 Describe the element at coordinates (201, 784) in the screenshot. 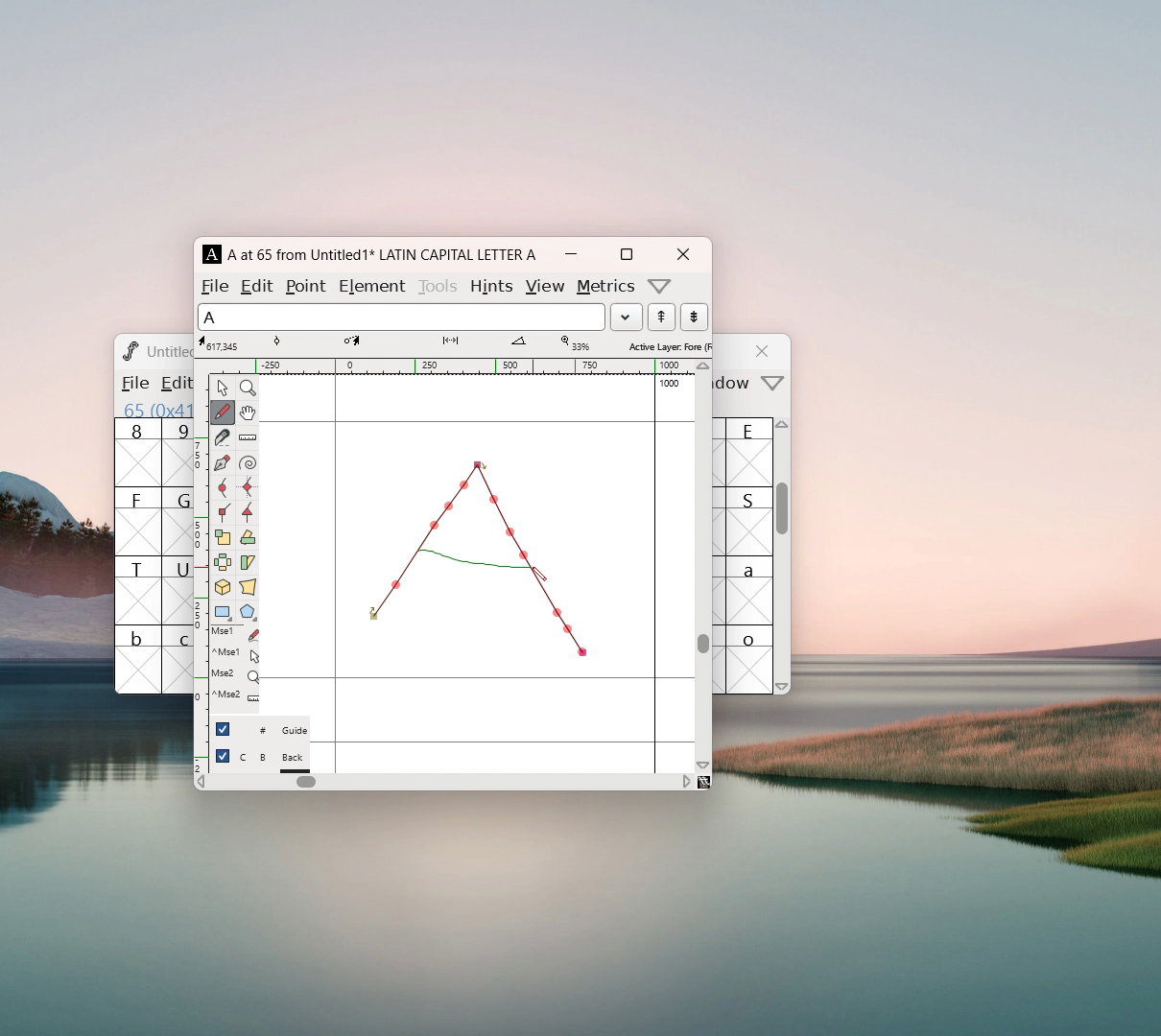

I see `scroll left` at that location.